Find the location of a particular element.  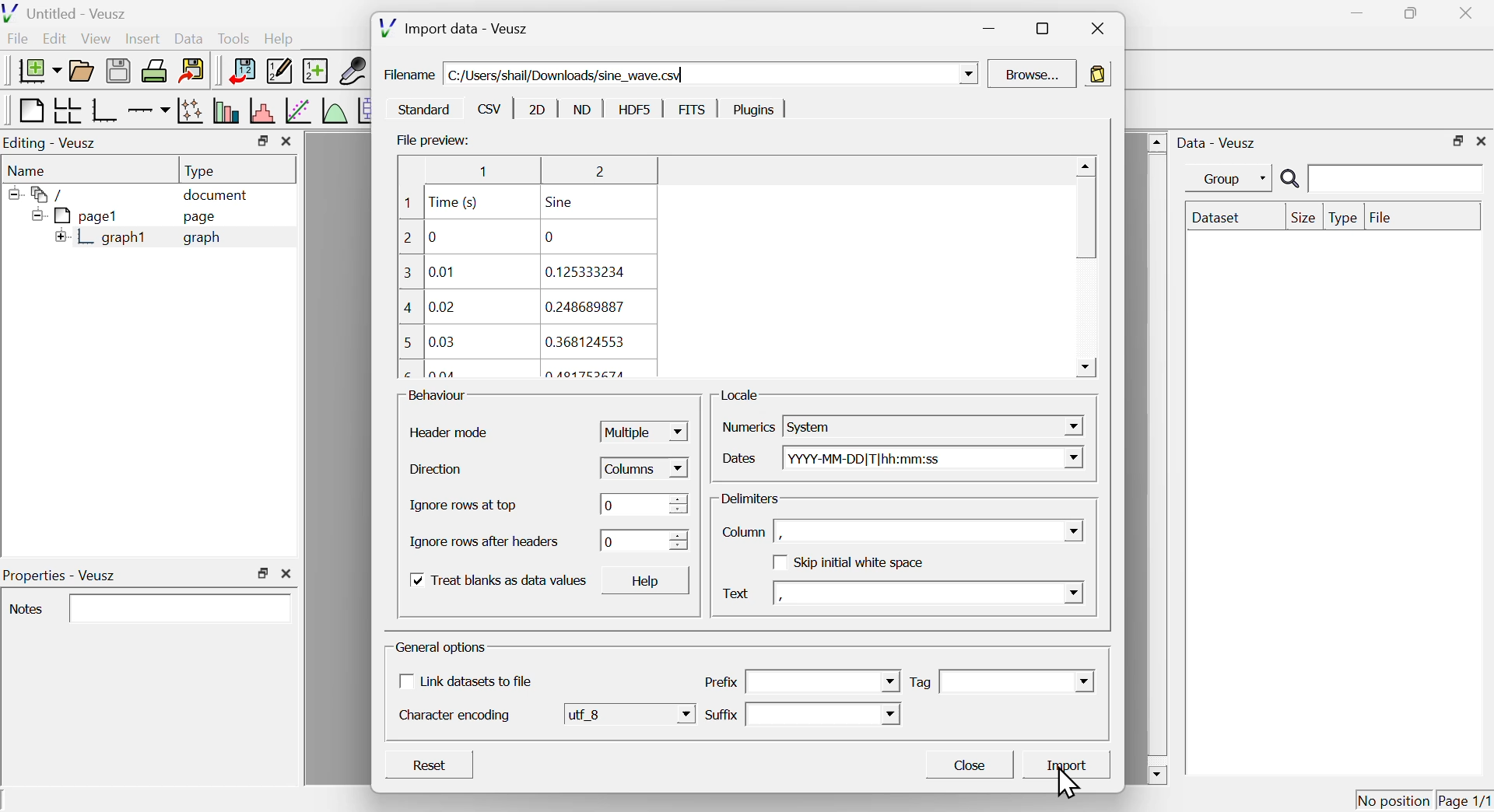

Plugins is located at coordinates (749, 110).